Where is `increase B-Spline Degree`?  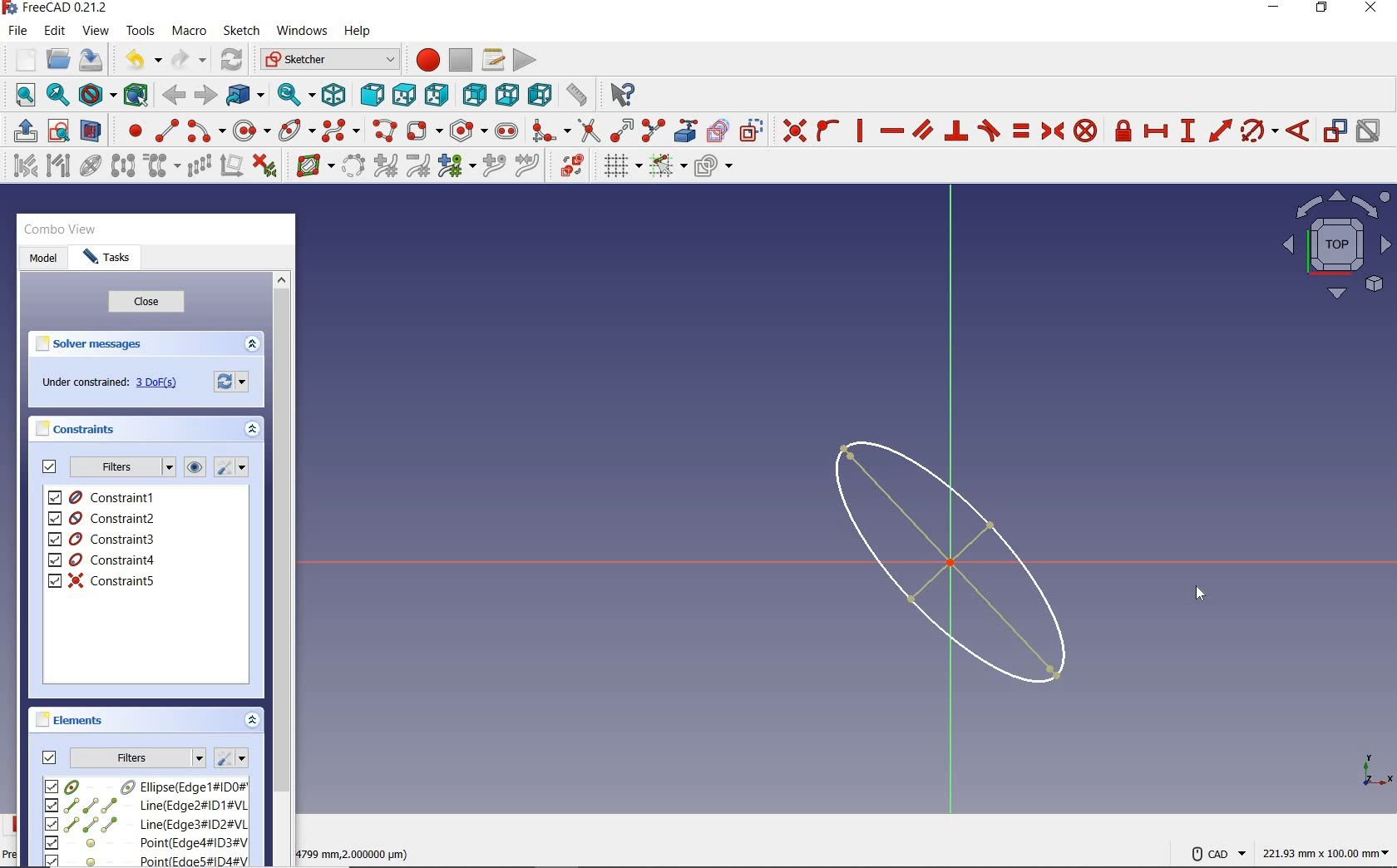
increase B-Spline Degree is located at coordinates (383, 166).